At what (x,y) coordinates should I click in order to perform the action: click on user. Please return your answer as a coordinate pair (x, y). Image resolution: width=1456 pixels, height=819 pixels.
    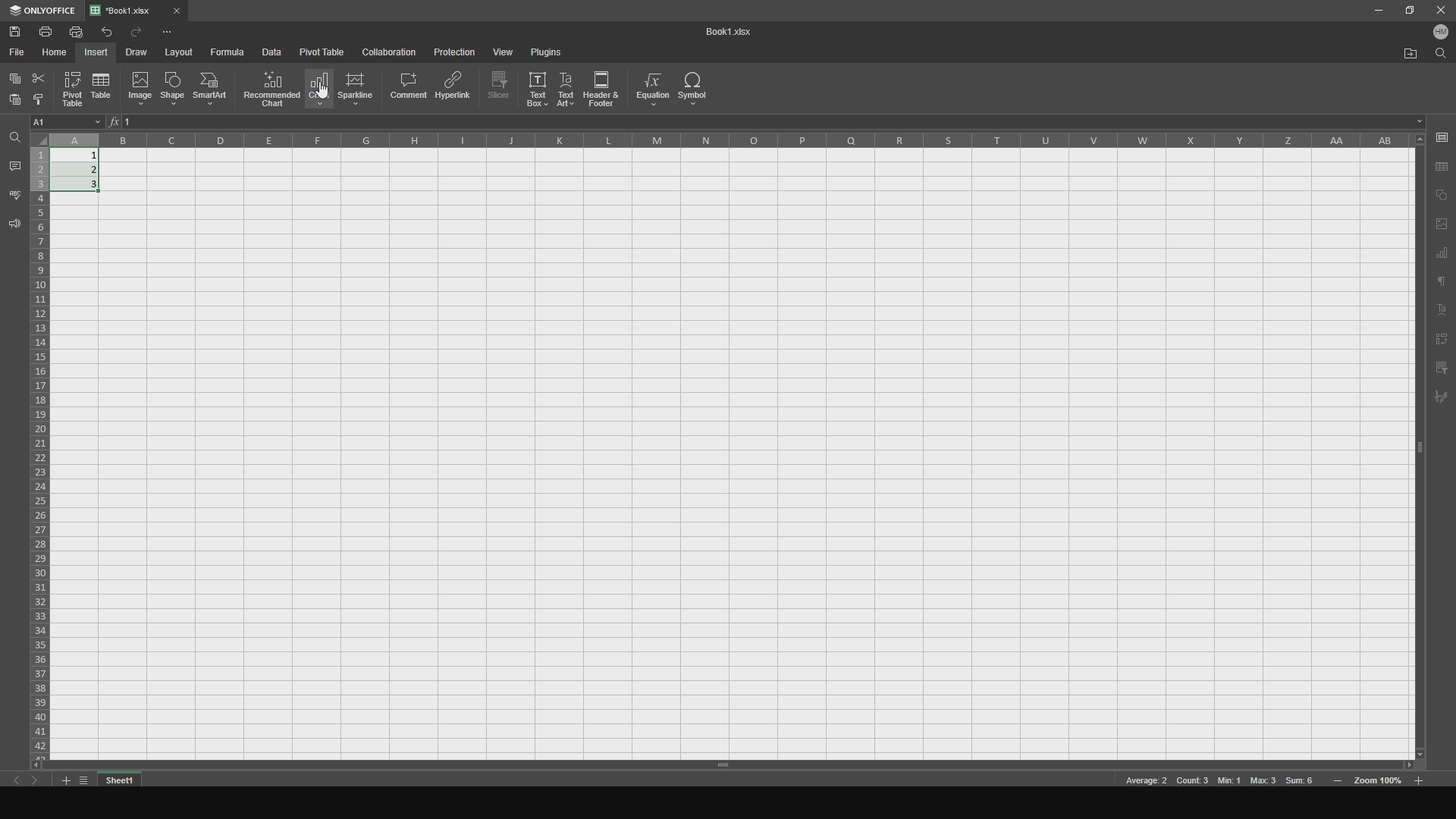
    Looking at the image, I should click on (1439, 33).